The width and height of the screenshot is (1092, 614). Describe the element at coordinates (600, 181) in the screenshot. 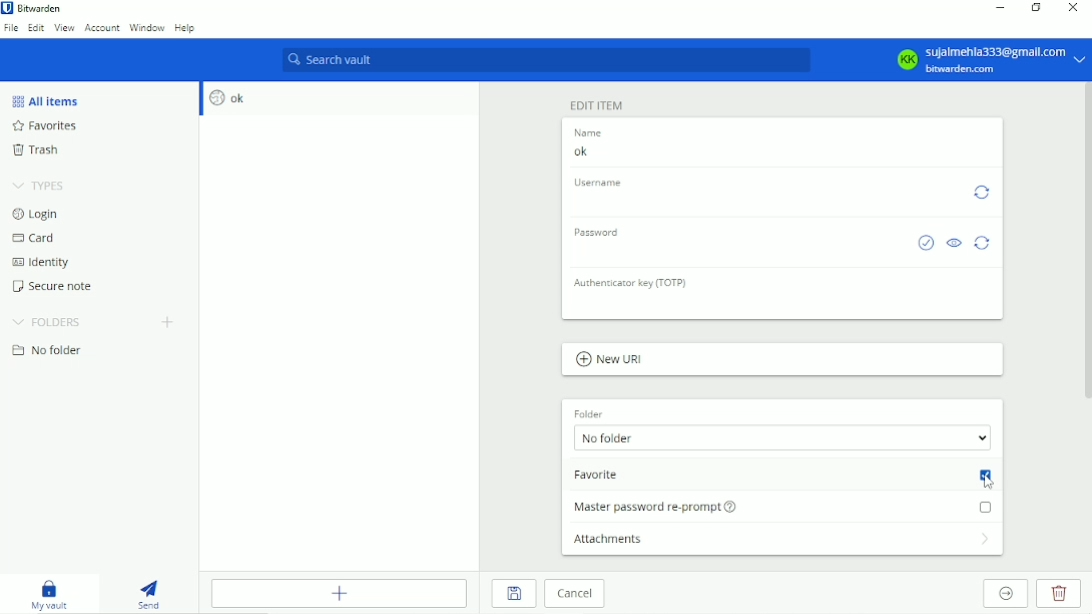

I see `Username` at that location.